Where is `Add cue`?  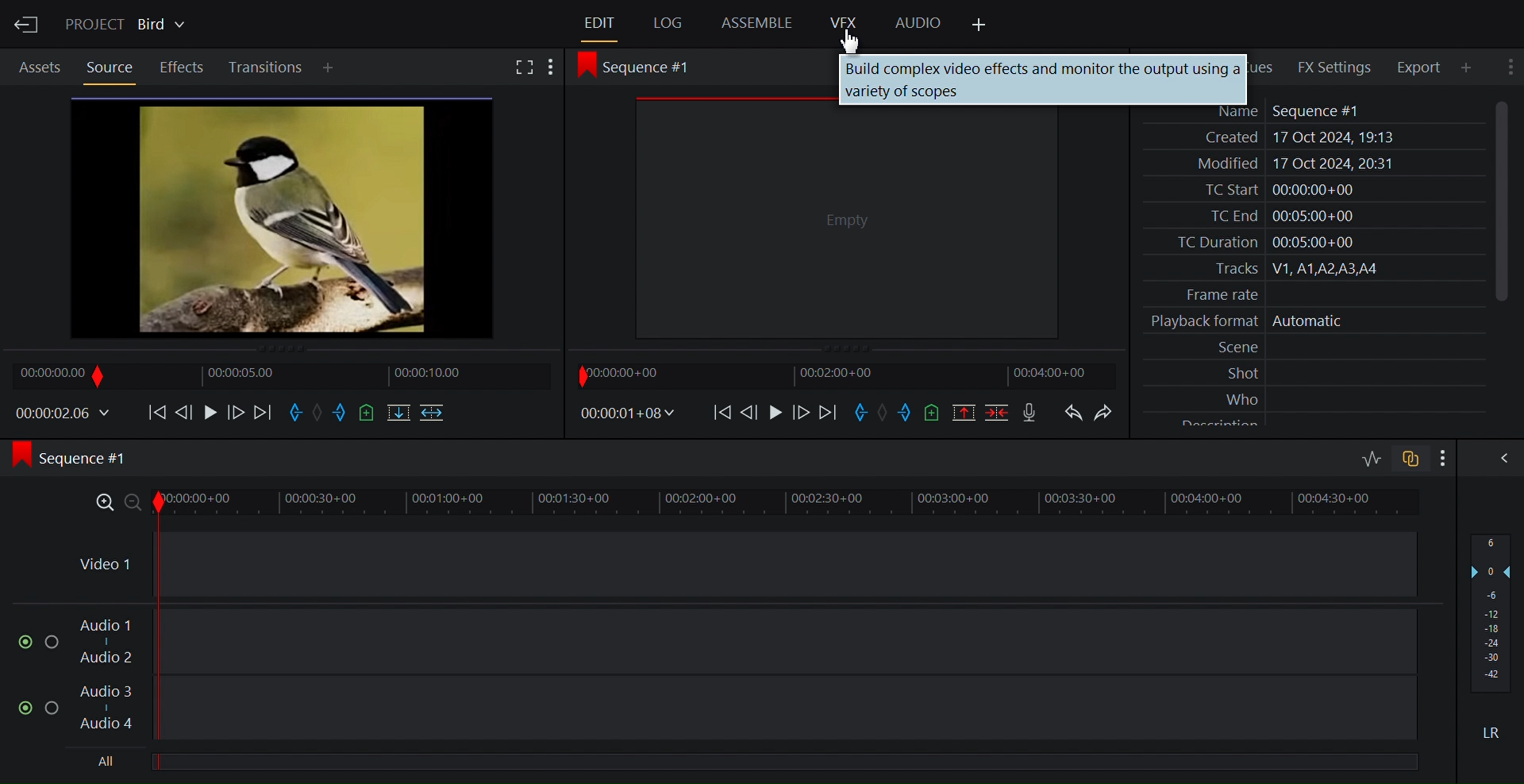
Add cue is located at coordinates (365, 414).